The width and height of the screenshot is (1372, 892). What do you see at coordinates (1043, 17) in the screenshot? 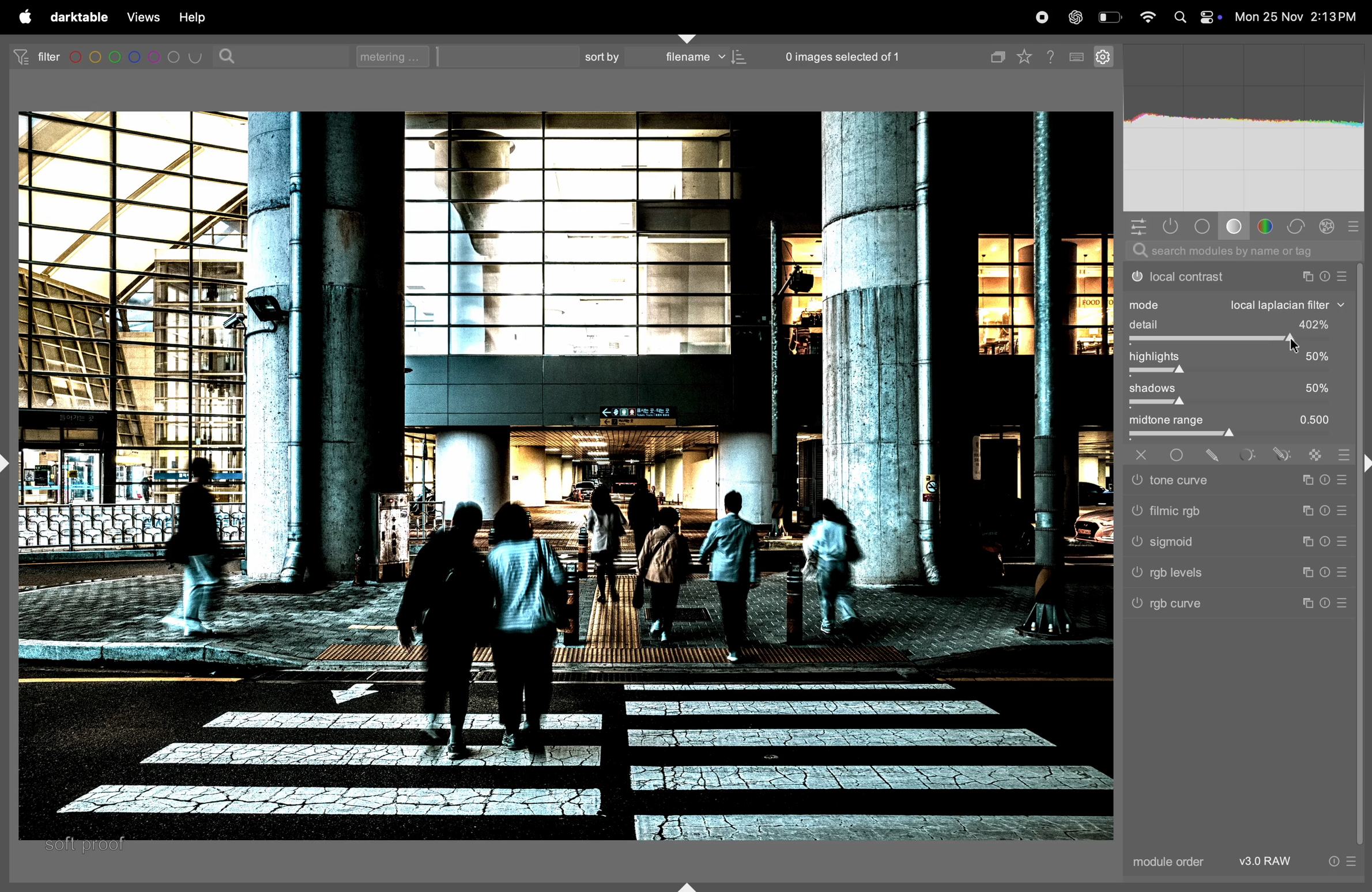
I see `record` at bounding box center [1043, 17].